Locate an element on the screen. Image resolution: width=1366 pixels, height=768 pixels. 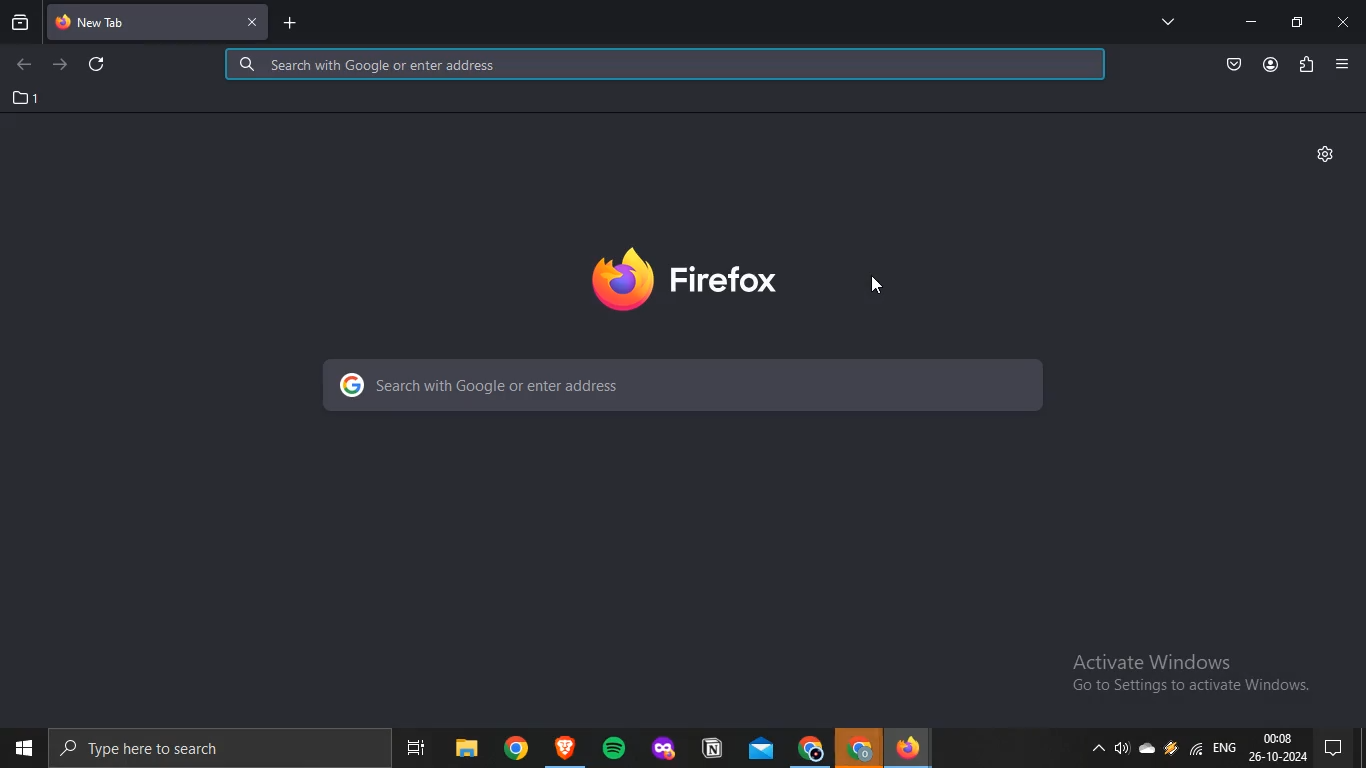
battery is located at coordinates (1169, 754).